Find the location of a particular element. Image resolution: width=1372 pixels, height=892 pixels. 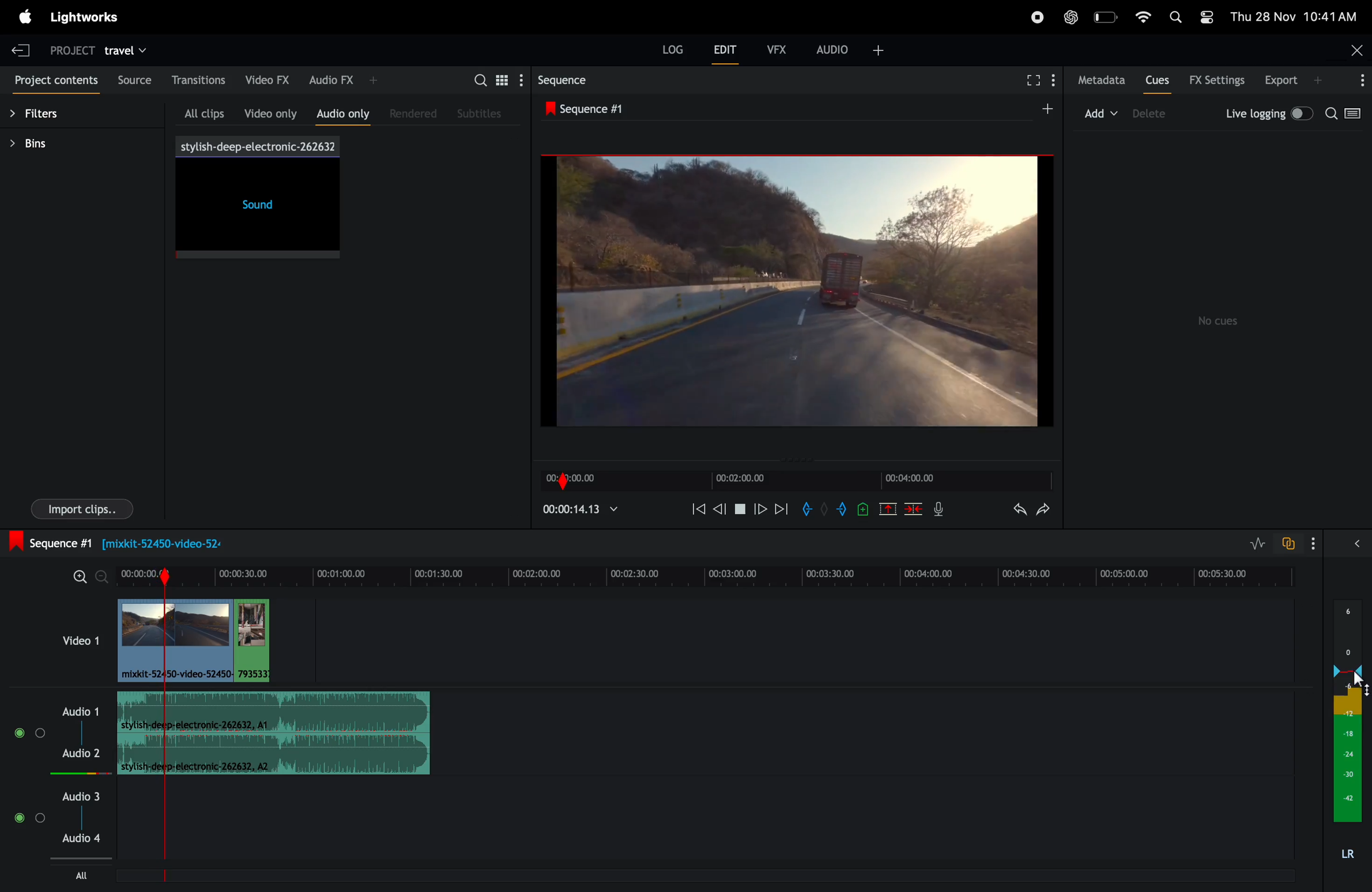

Fx settings is located at coordinates (1218, 79).